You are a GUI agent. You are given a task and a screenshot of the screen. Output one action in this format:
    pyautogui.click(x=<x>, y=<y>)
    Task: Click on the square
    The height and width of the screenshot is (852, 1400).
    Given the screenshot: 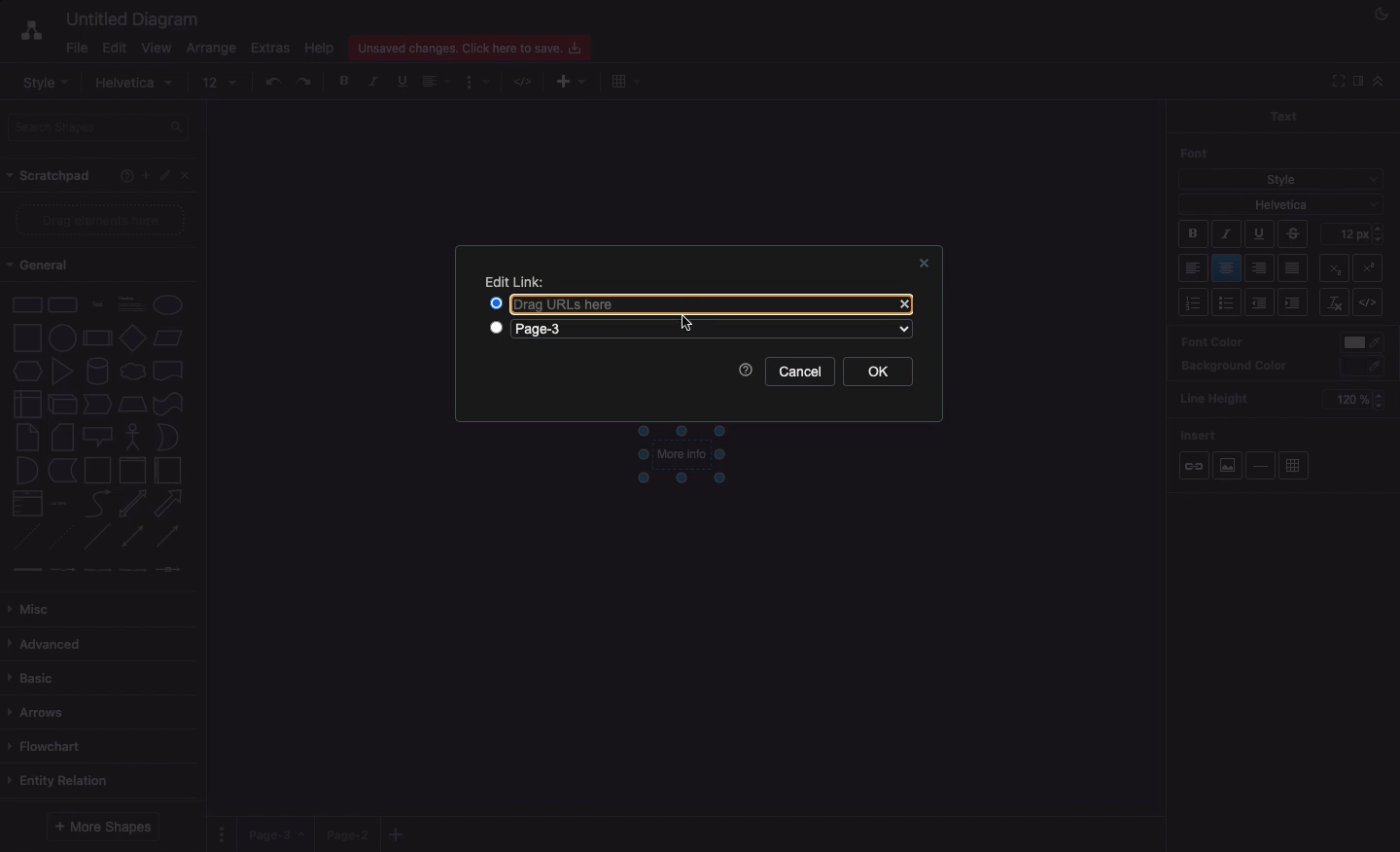 What is the action you would take?
    pyautogui.click(x=27, y=337)
    